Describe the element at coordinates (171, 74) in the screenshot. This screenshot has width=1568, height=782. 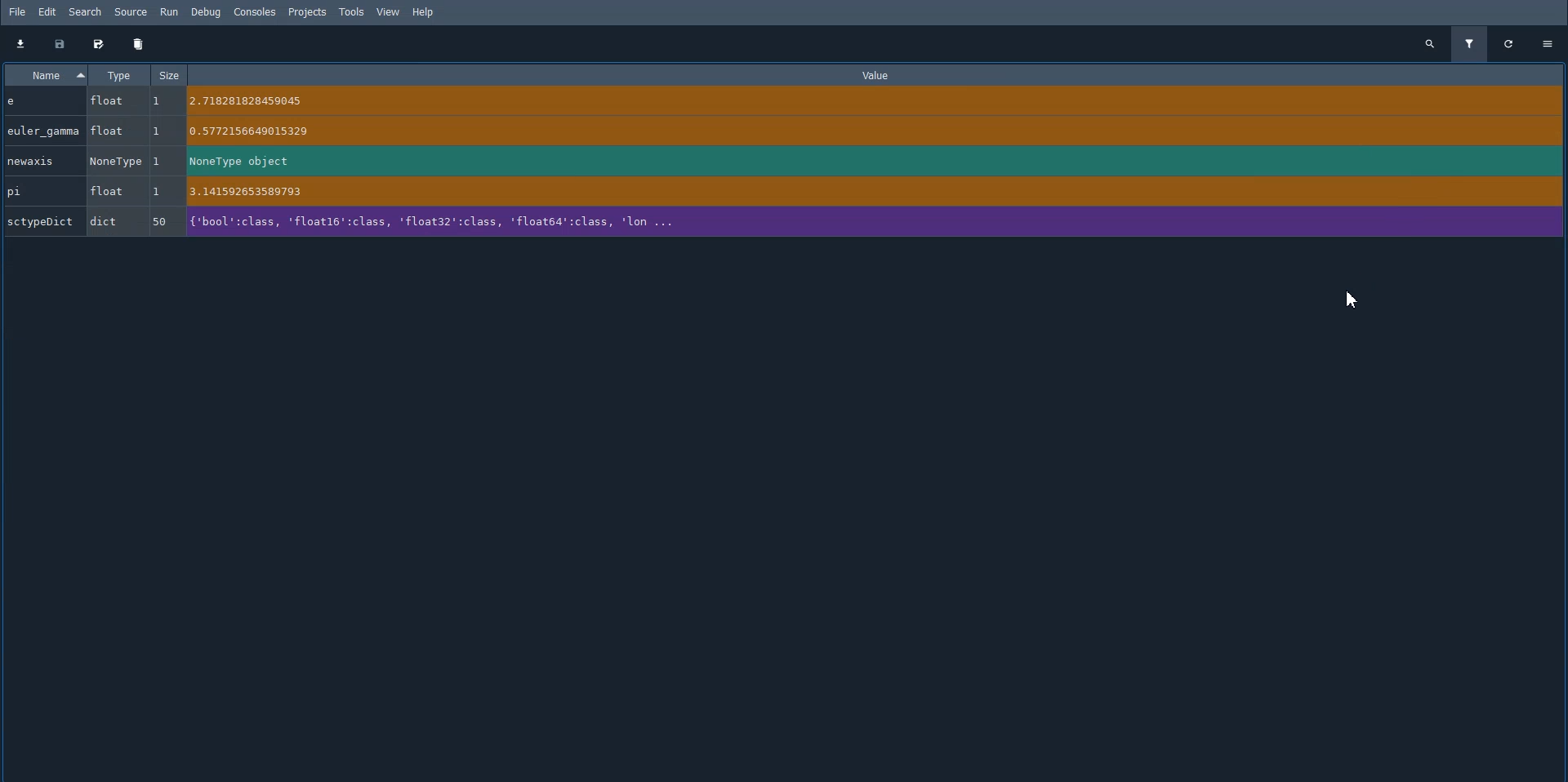
I see `Size` at that location.